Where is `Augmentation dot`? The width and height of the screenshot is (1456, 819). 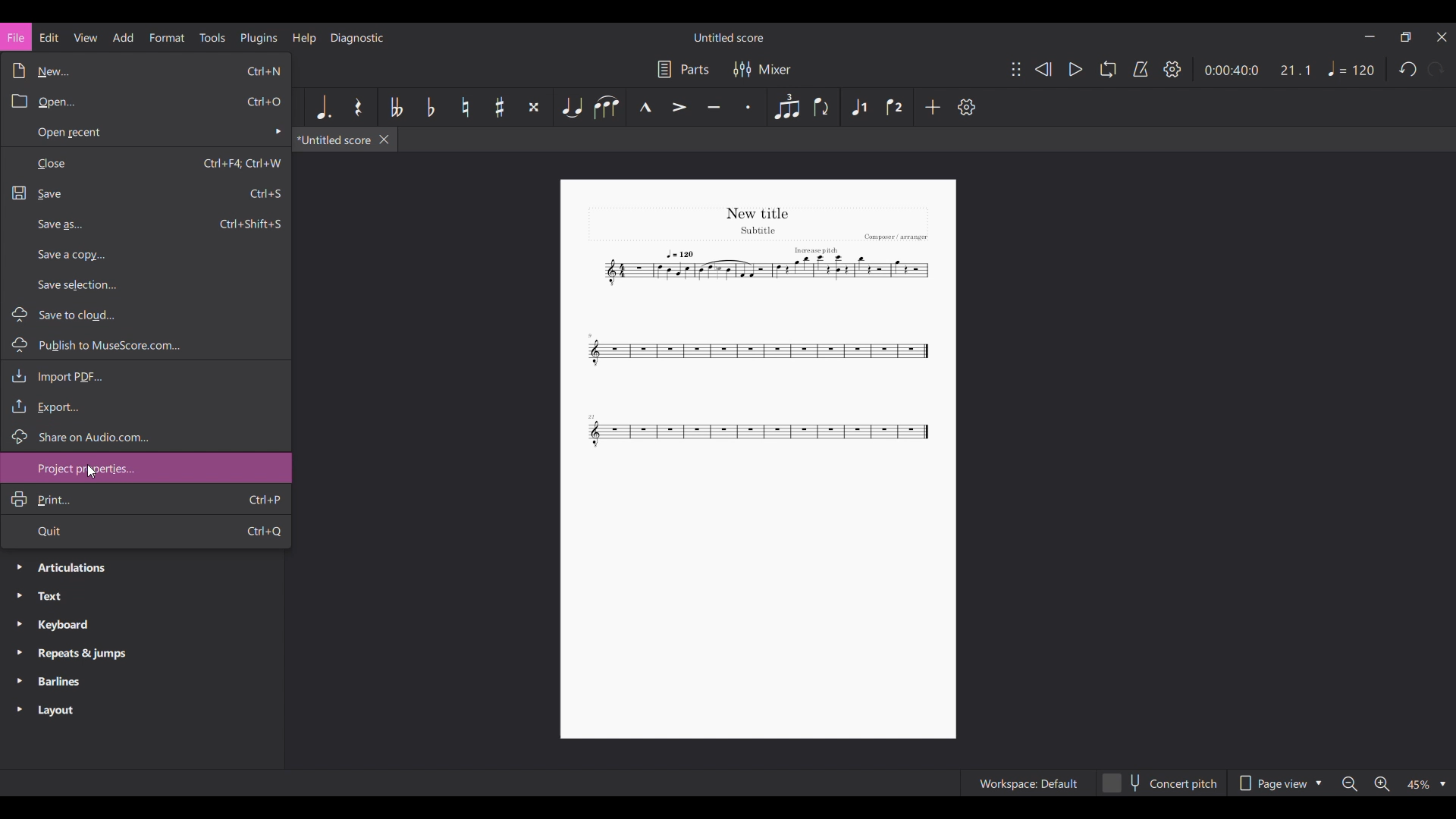 Augmentation dot is located at coordinates (323, 107).